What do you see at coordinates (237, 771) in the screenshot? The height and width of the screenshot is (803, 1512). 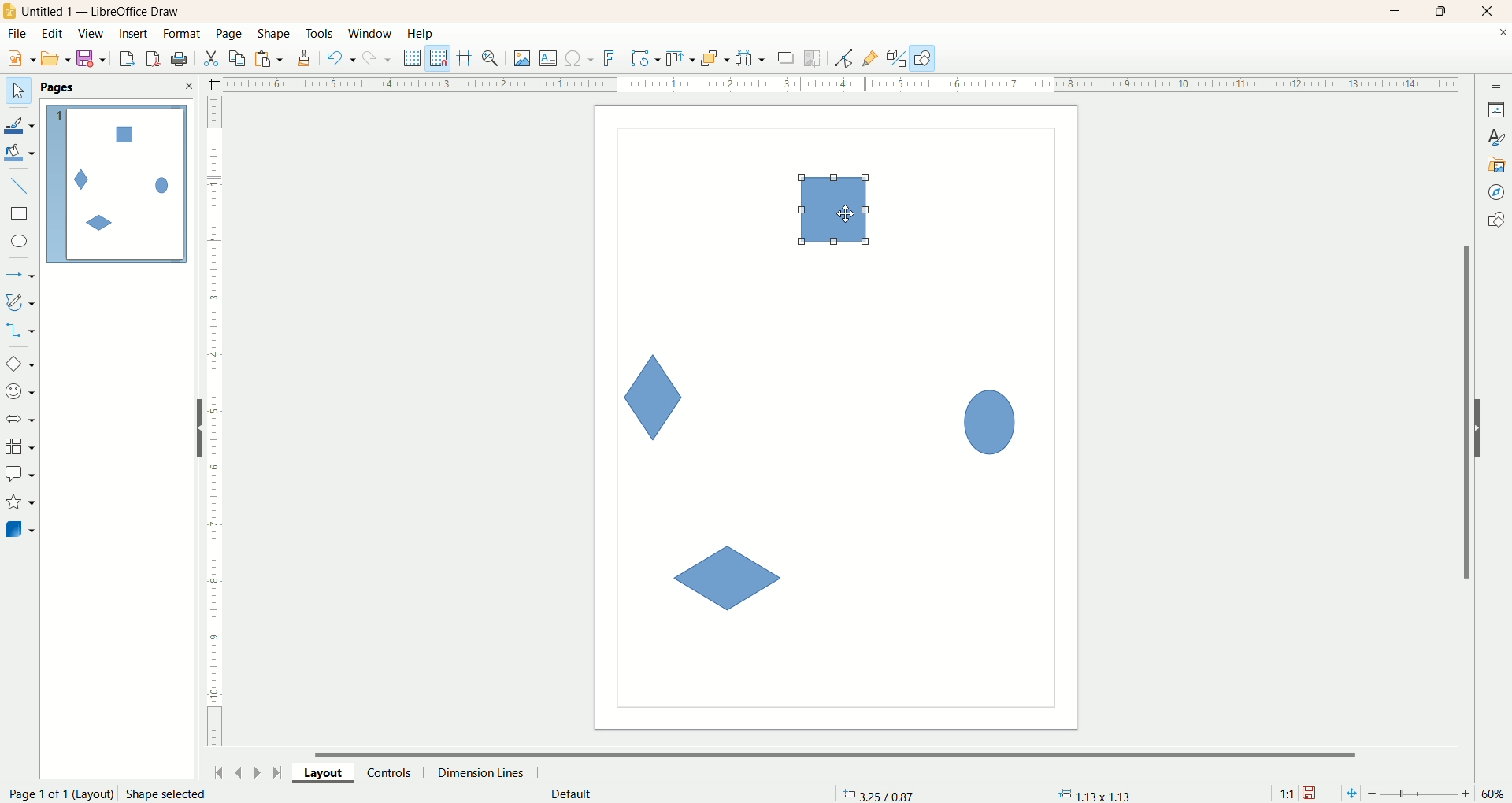 I see `previous page` at bounding box center [237, 771].